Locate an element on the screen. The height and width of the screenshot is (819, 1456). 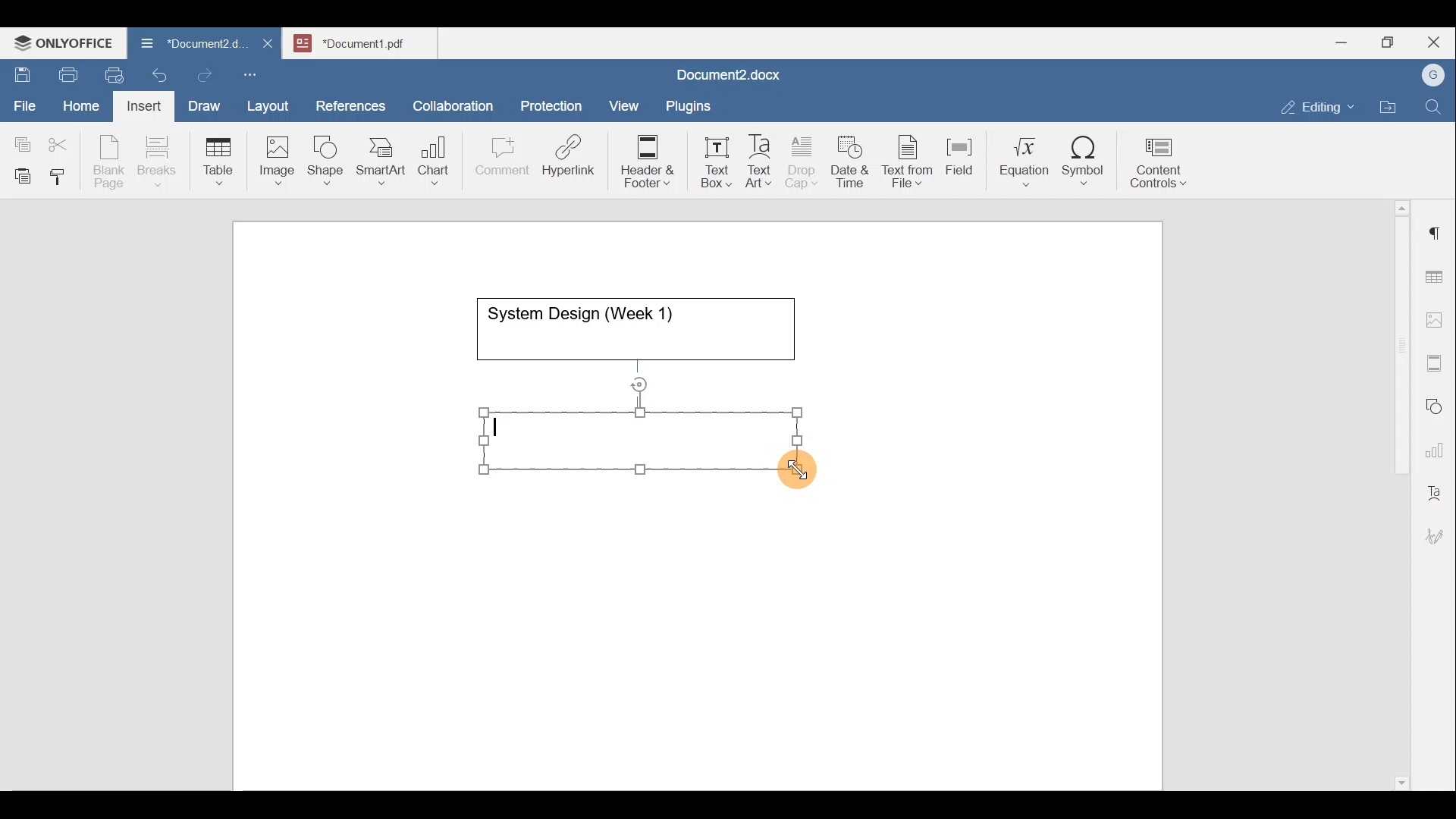
Table is located at coordinates (219, 158).